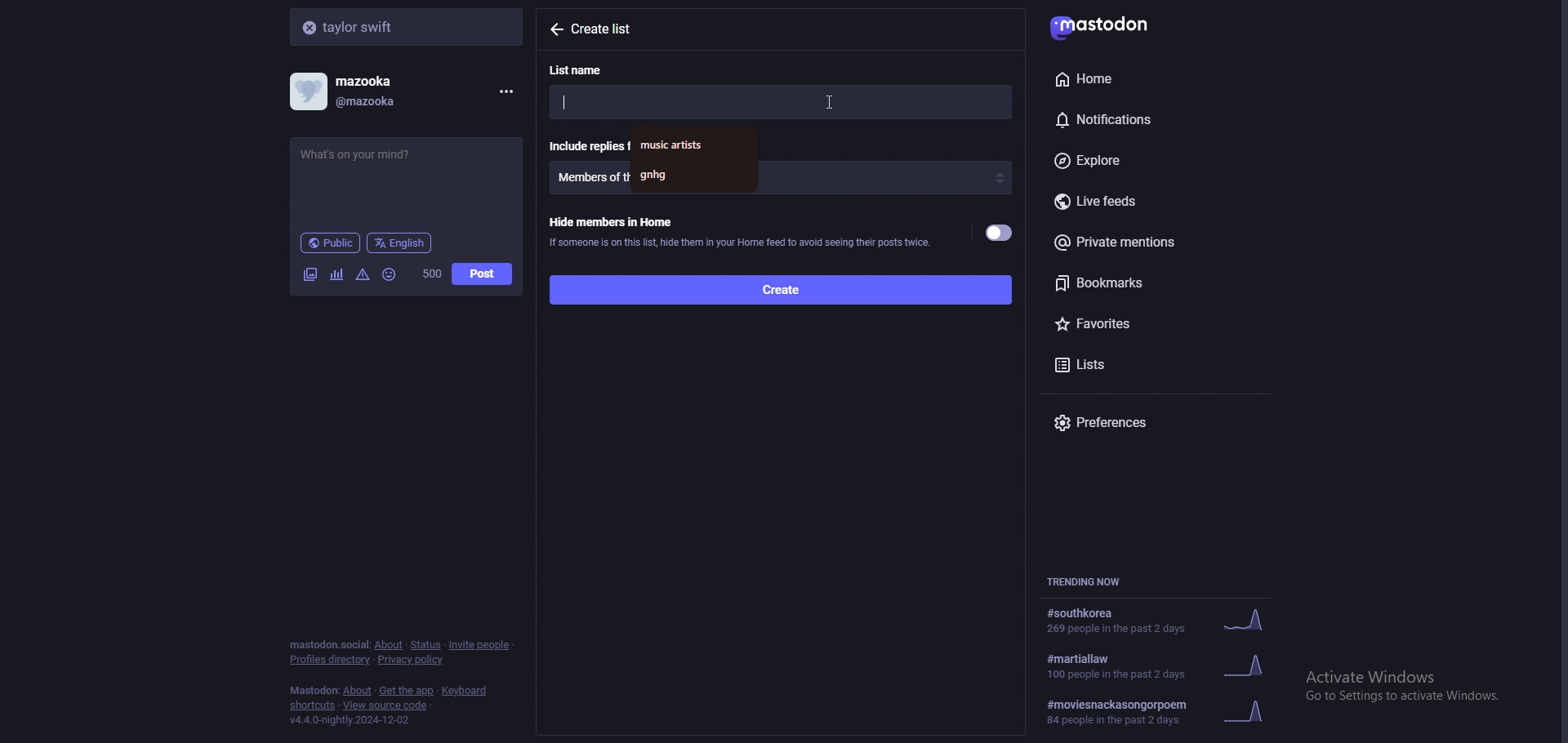 The image size is (1568, 743). What do you see at coordinates (1160, 422) in the screenshot?
I see `preferences` at bounding box center [1160, 422].